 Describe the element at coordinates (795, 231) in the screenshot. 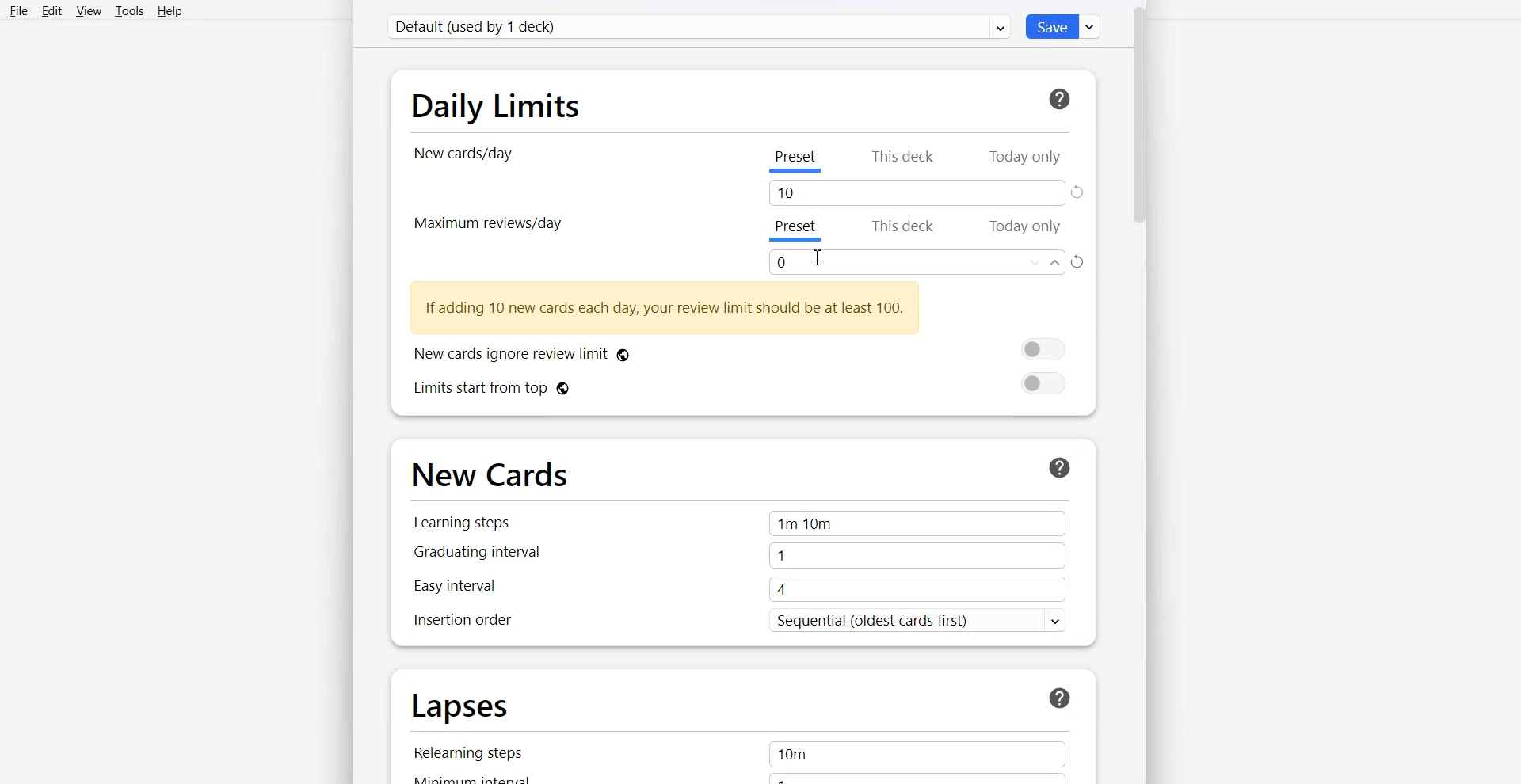

I see `Preset` at that location.